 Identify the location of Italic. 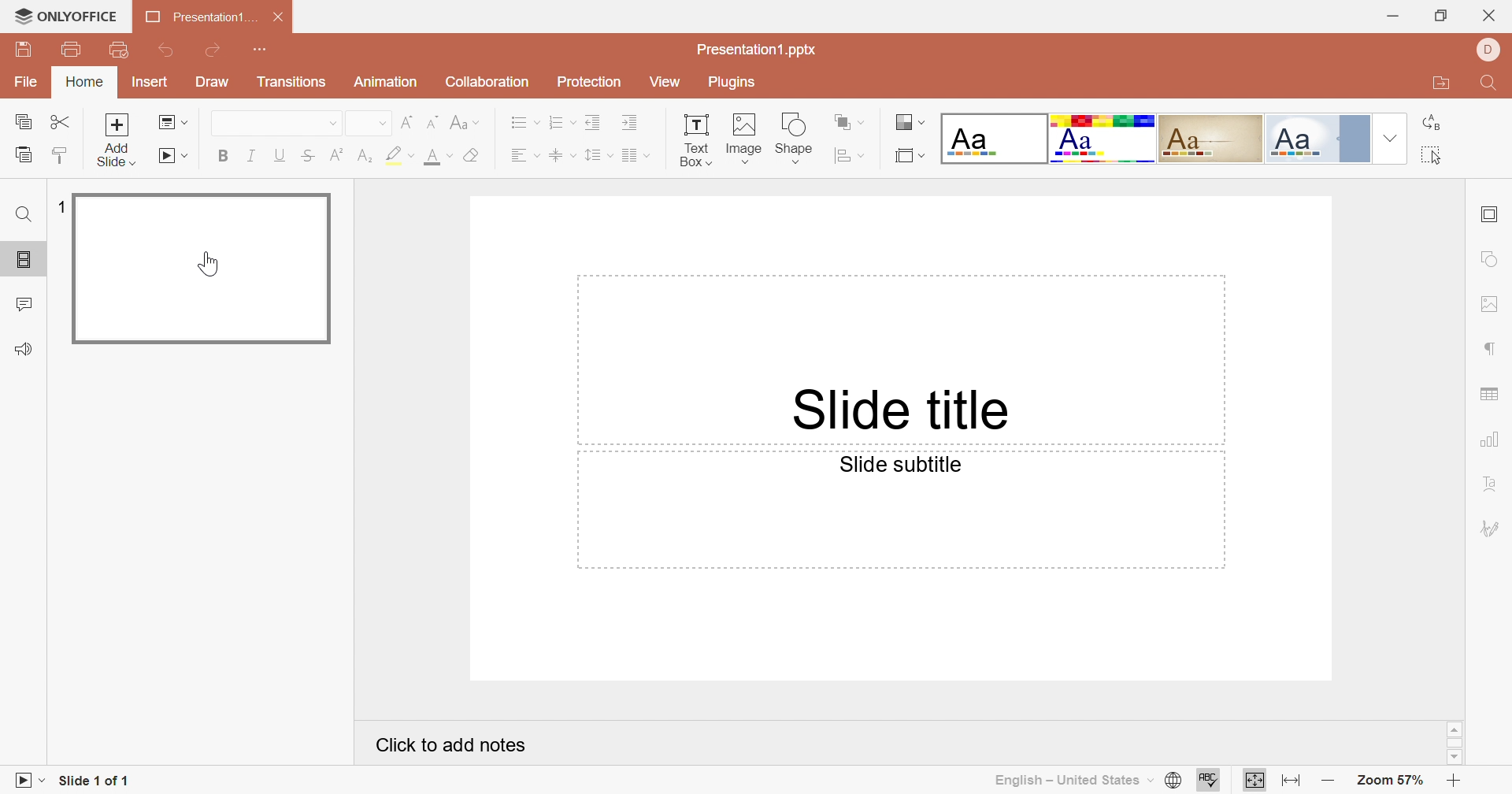
(249, 155).